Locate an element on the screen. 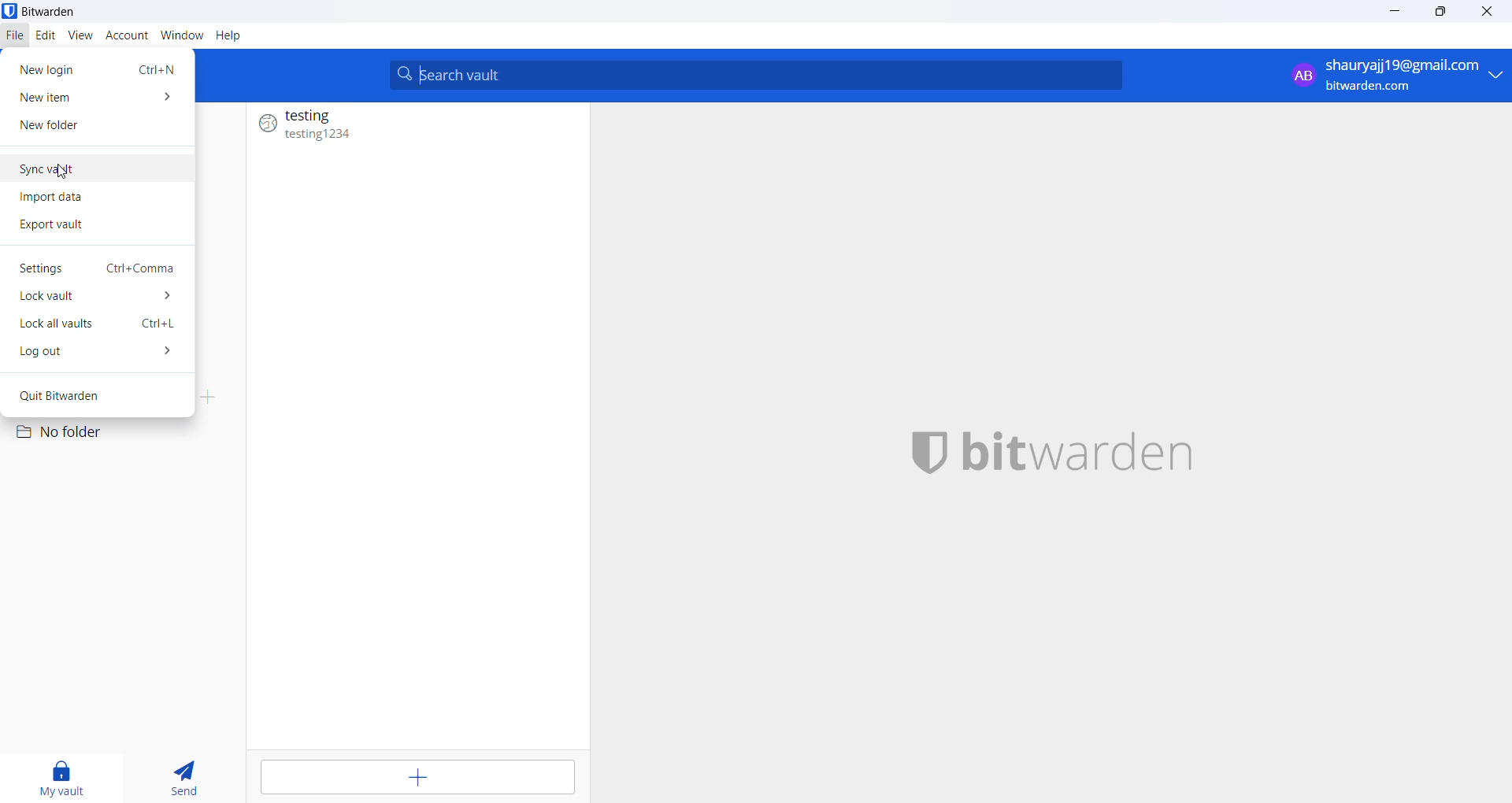 This screenshot has width=1512, height=803. add is located at coordinates (415, 778).